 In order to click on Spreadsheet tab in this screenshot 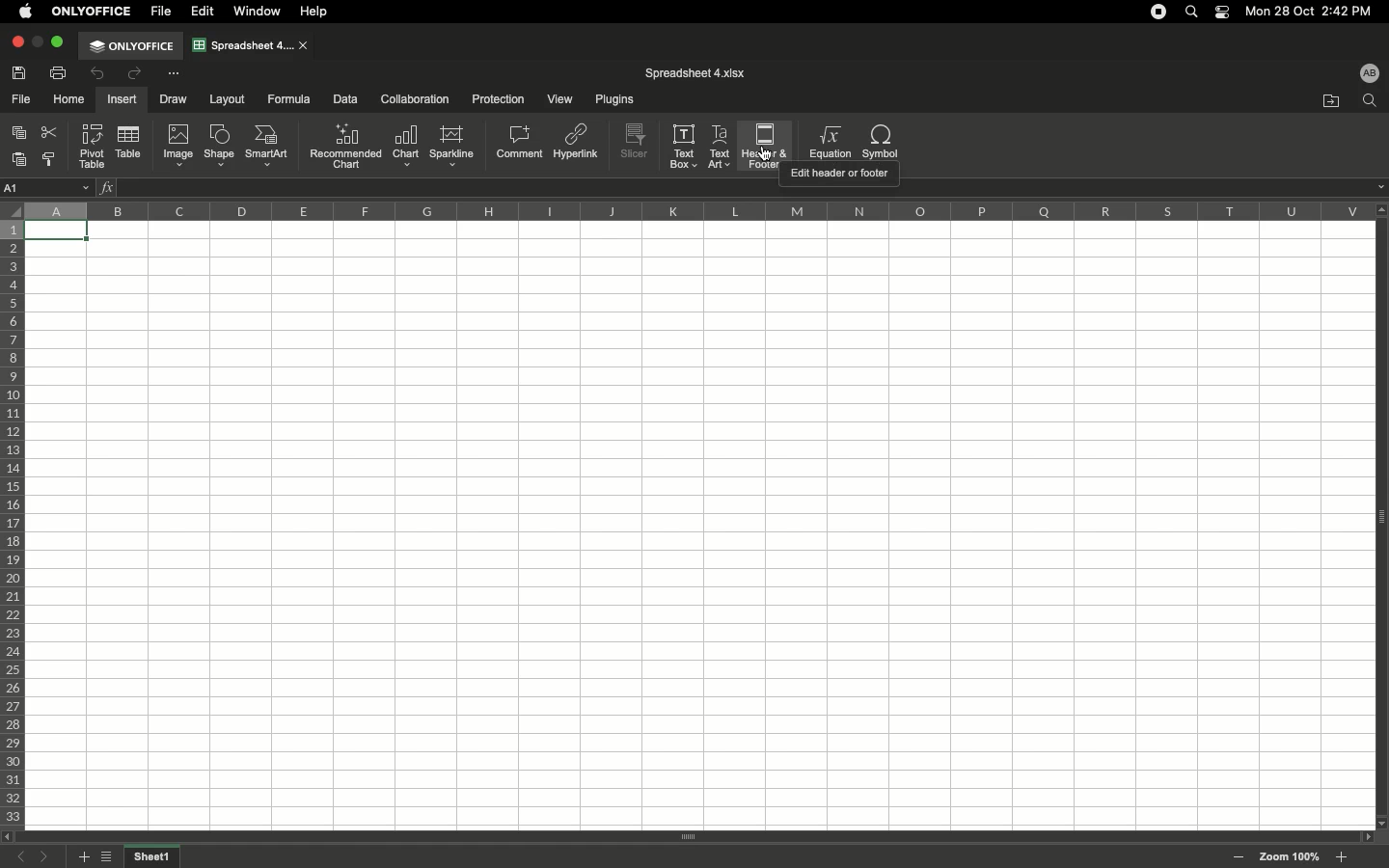, I will do `click(243, 44)`.